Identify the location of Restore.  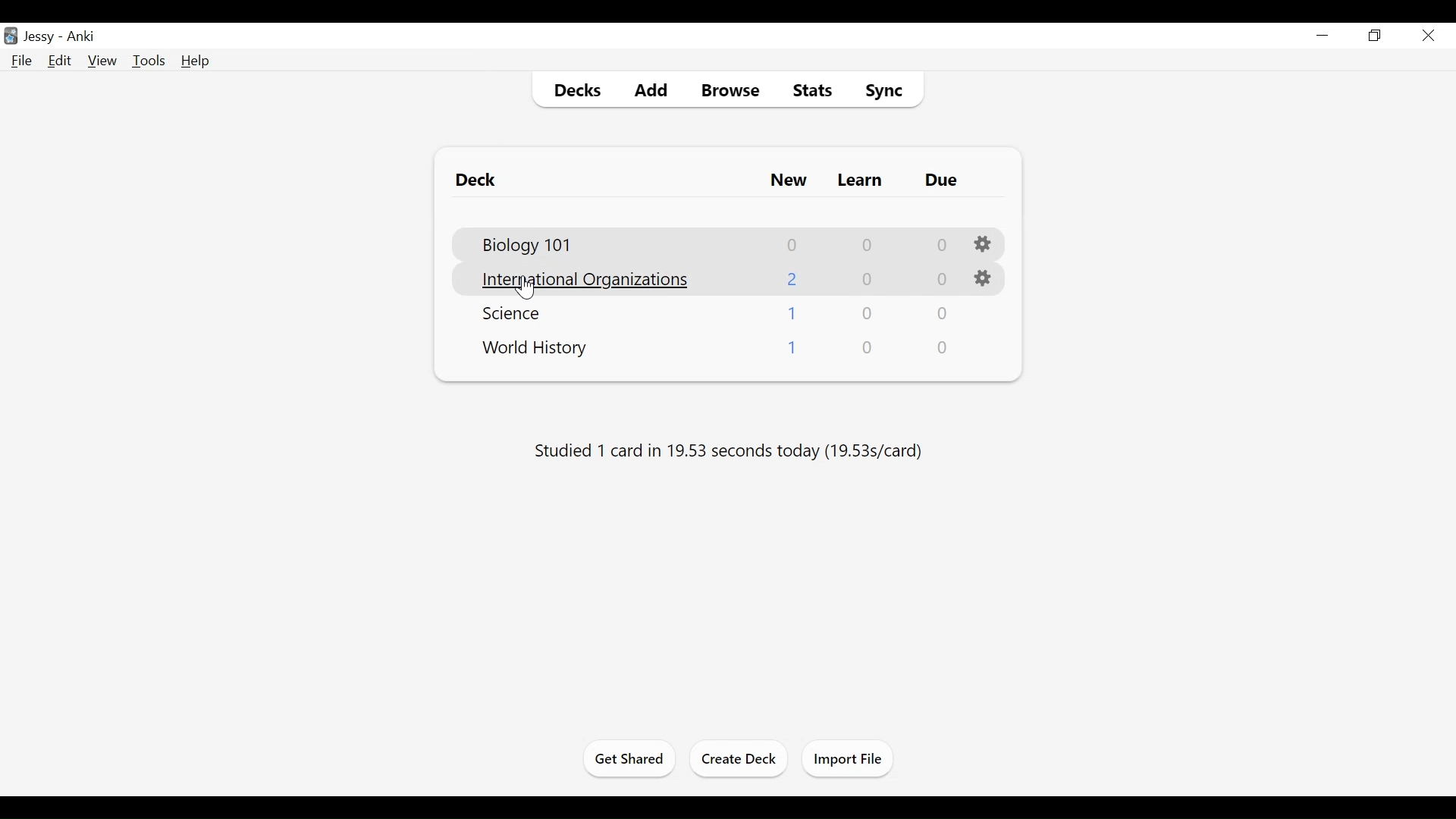
(1376, 36).